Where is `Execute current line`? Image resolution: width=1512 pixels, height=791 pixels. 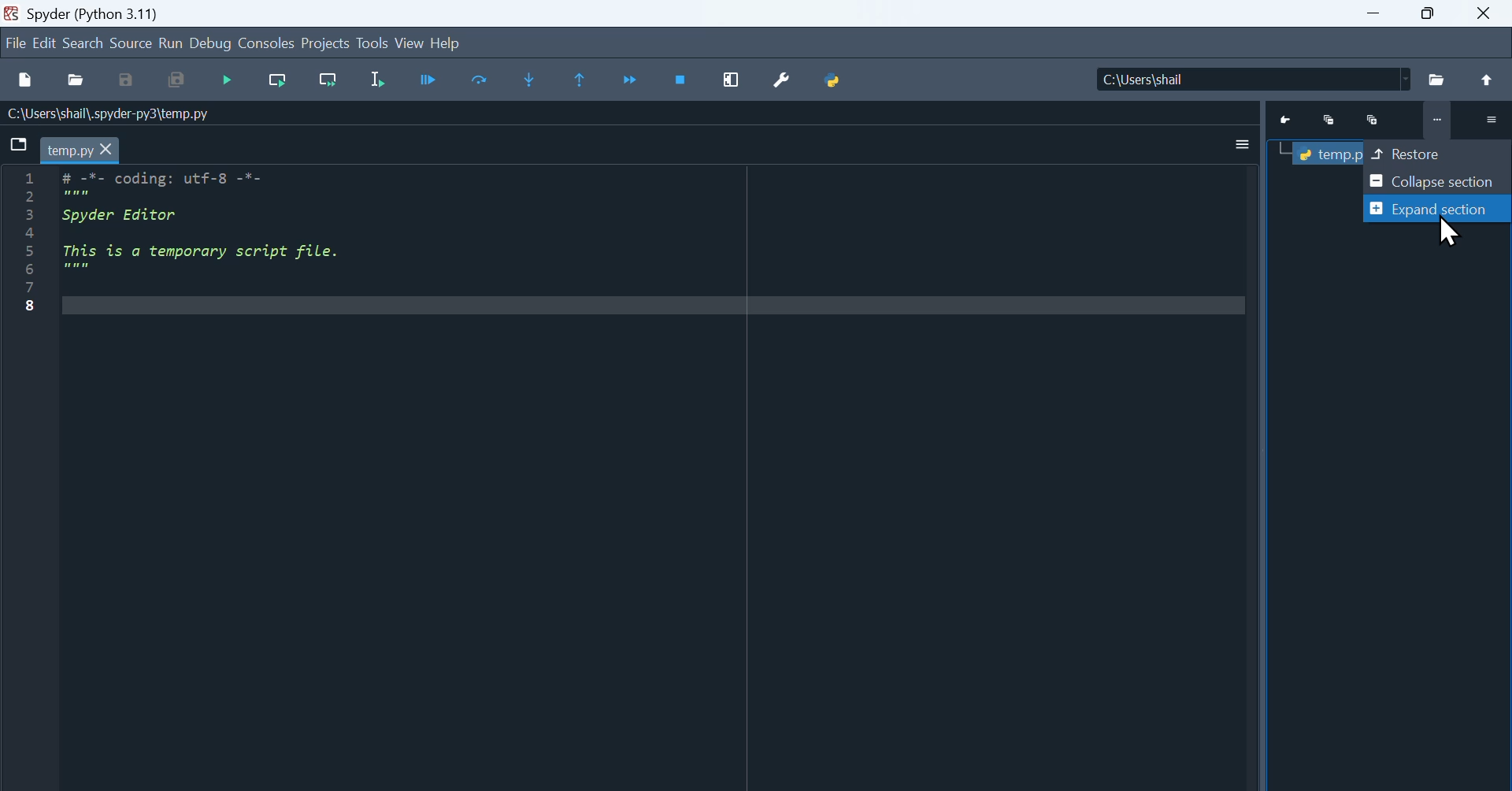 Execute current line is located at coordinates (481, 81).